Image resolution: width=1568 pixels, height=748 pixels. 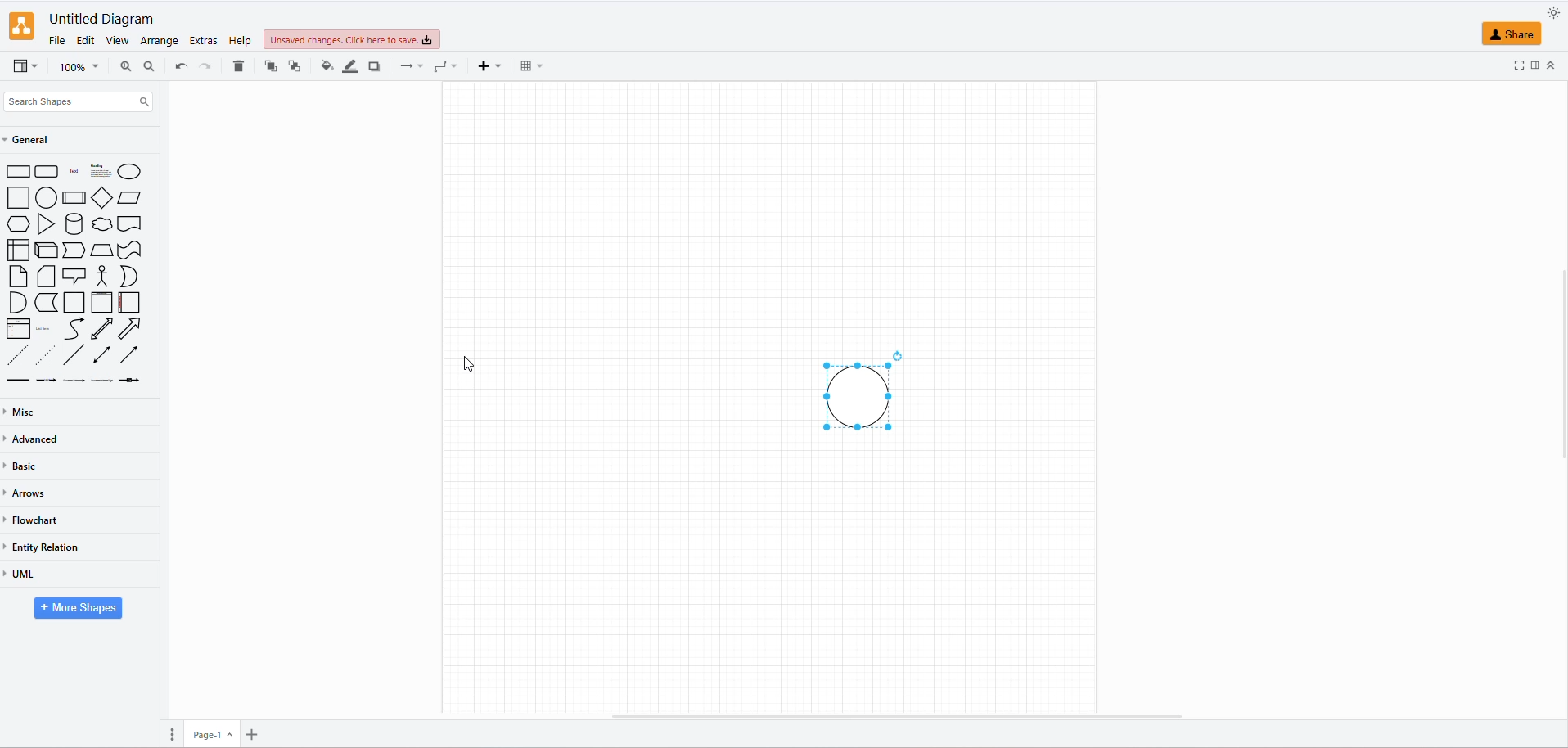 I want to click on STEP, so click(x=72, y=248).